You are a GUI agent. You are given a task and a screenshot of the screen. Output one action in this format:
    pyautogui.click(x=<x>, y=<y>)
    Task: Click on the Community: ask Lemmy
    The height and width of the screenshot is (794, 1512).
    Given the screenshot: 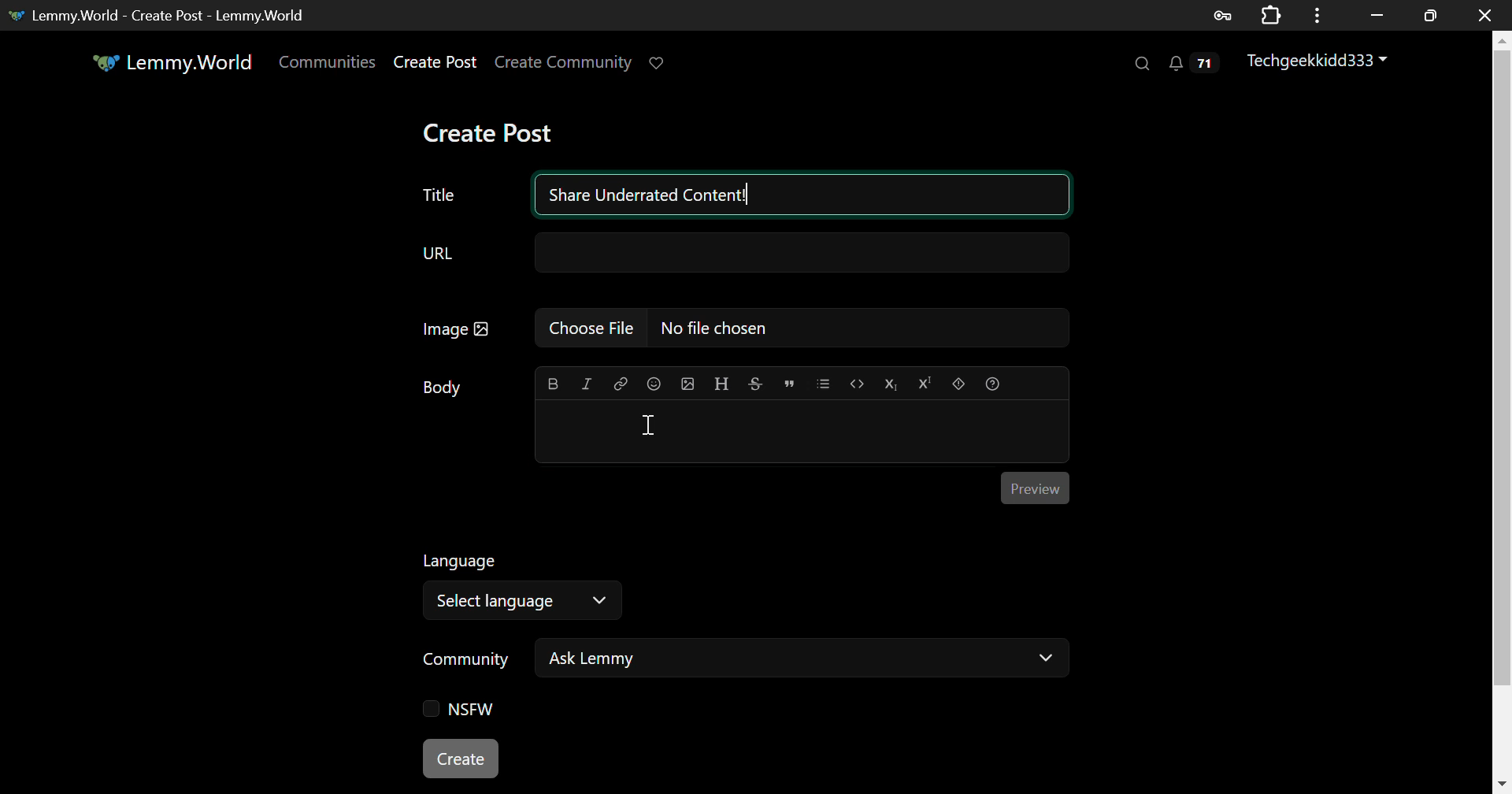 What is the action you would take?
    pyautogui.click(x=743, y=663)
    